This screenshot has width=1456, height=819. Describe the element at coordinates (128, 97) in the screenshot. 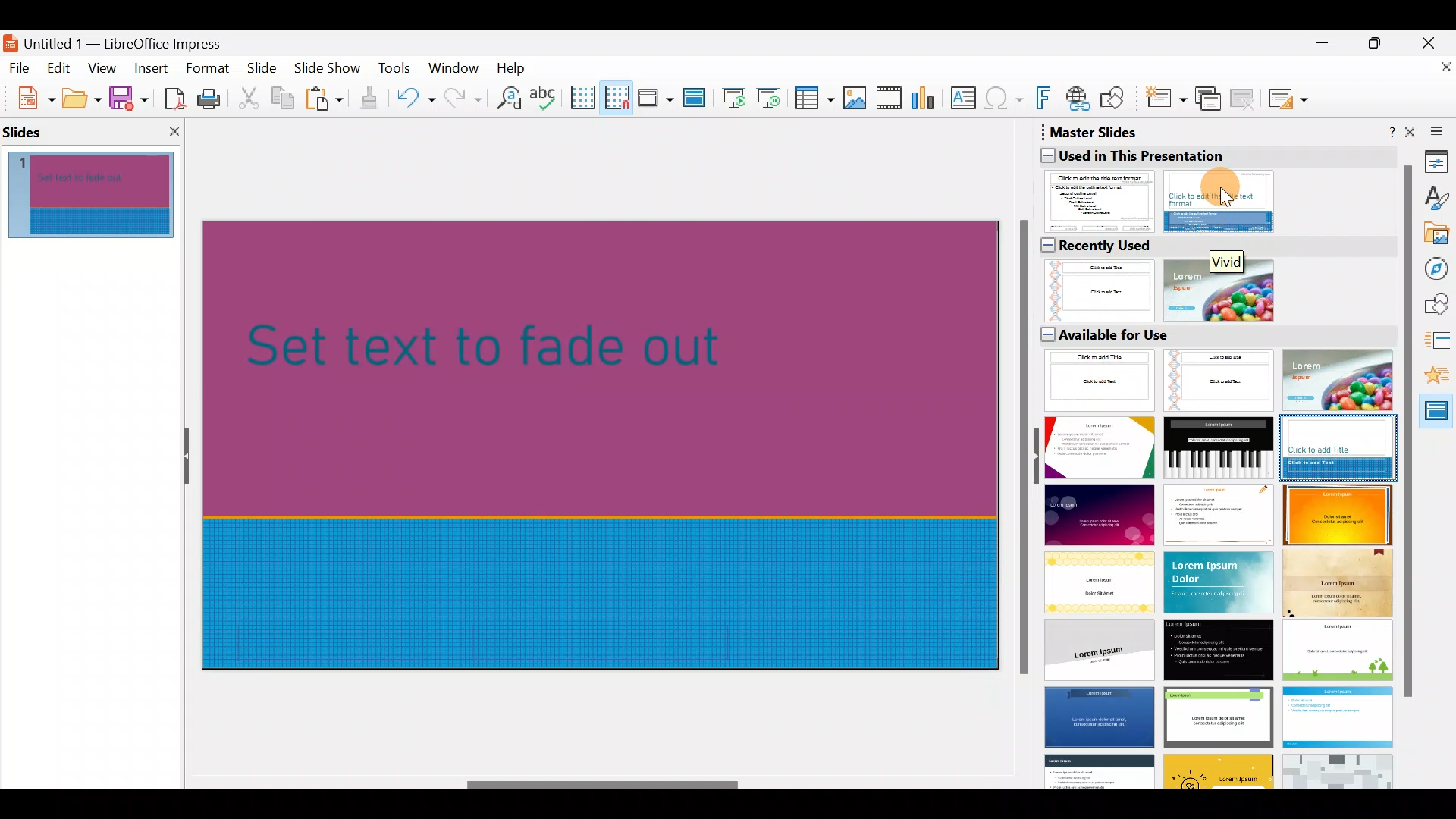

I see `Save` at that location.